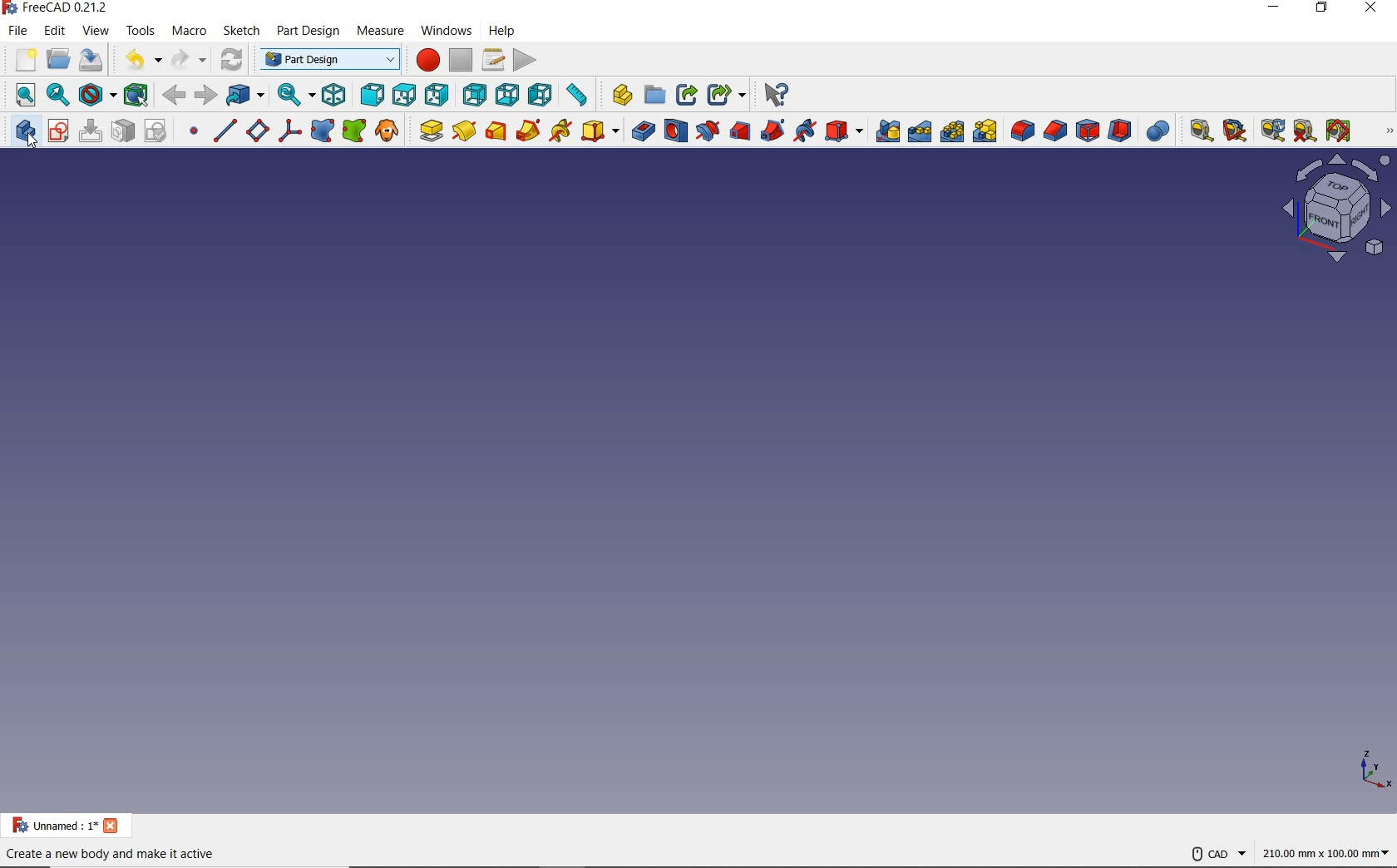 Image resolution: width=1397 pixels, height=868 pixels. What do you see at coordinates (643, 129) in the screenshot?
I see `POCKET` at bounding box center [643, 129].